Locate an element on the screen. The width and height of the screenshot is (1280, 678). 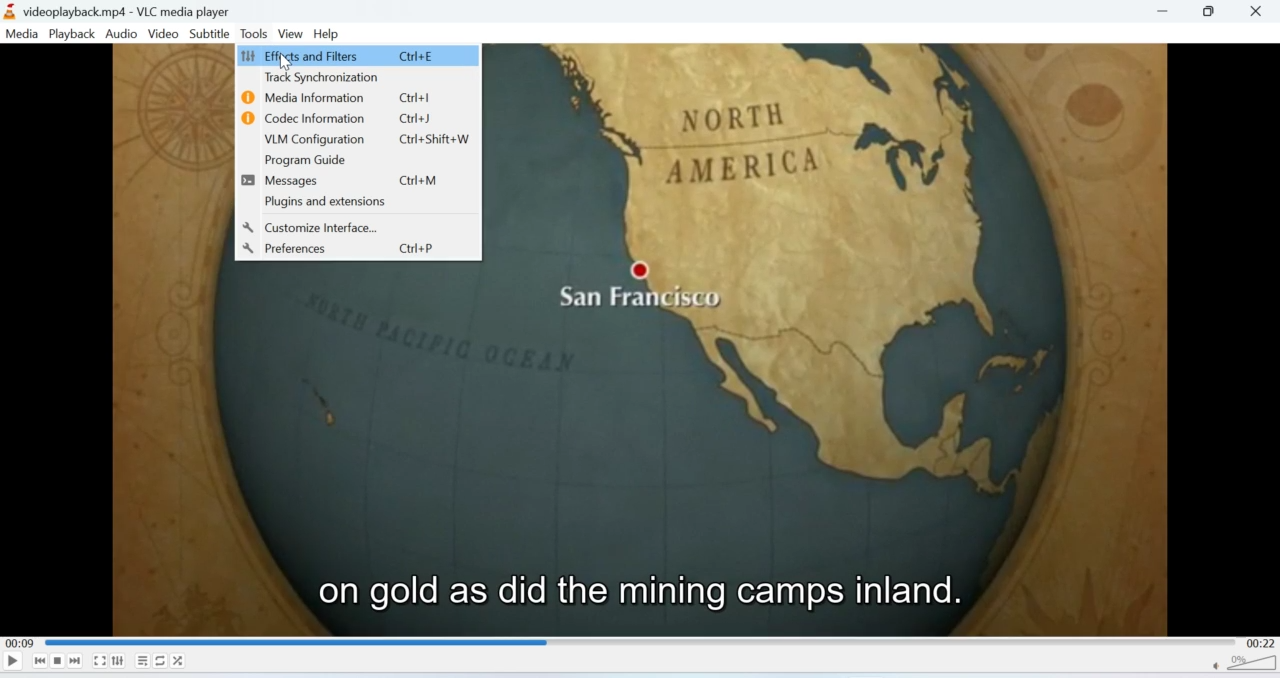
Track Synchronization is located at coordinates (322, 78).